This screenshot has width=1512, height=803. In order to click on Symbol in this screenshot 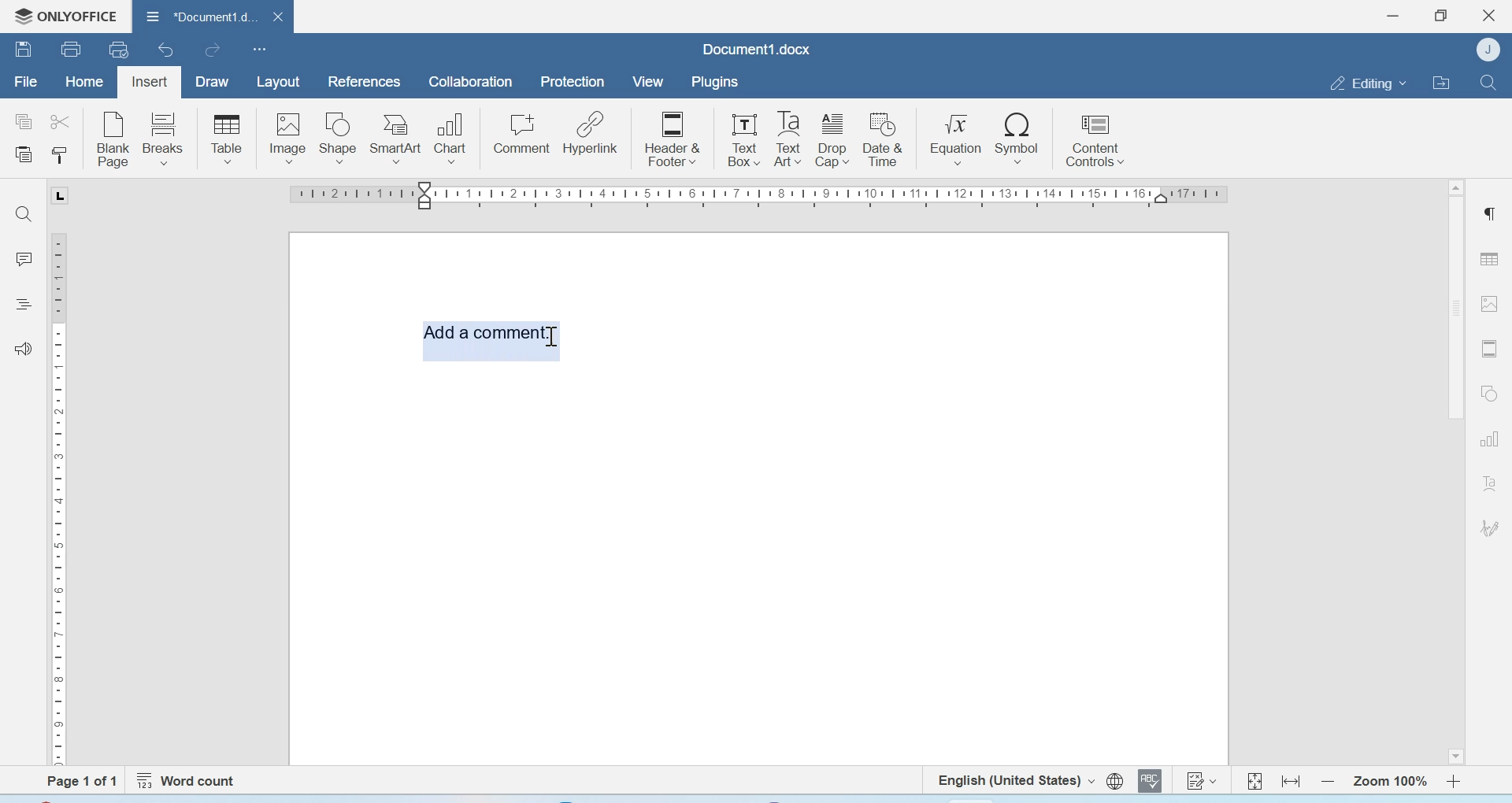, I will do `click(1018, 137)`.